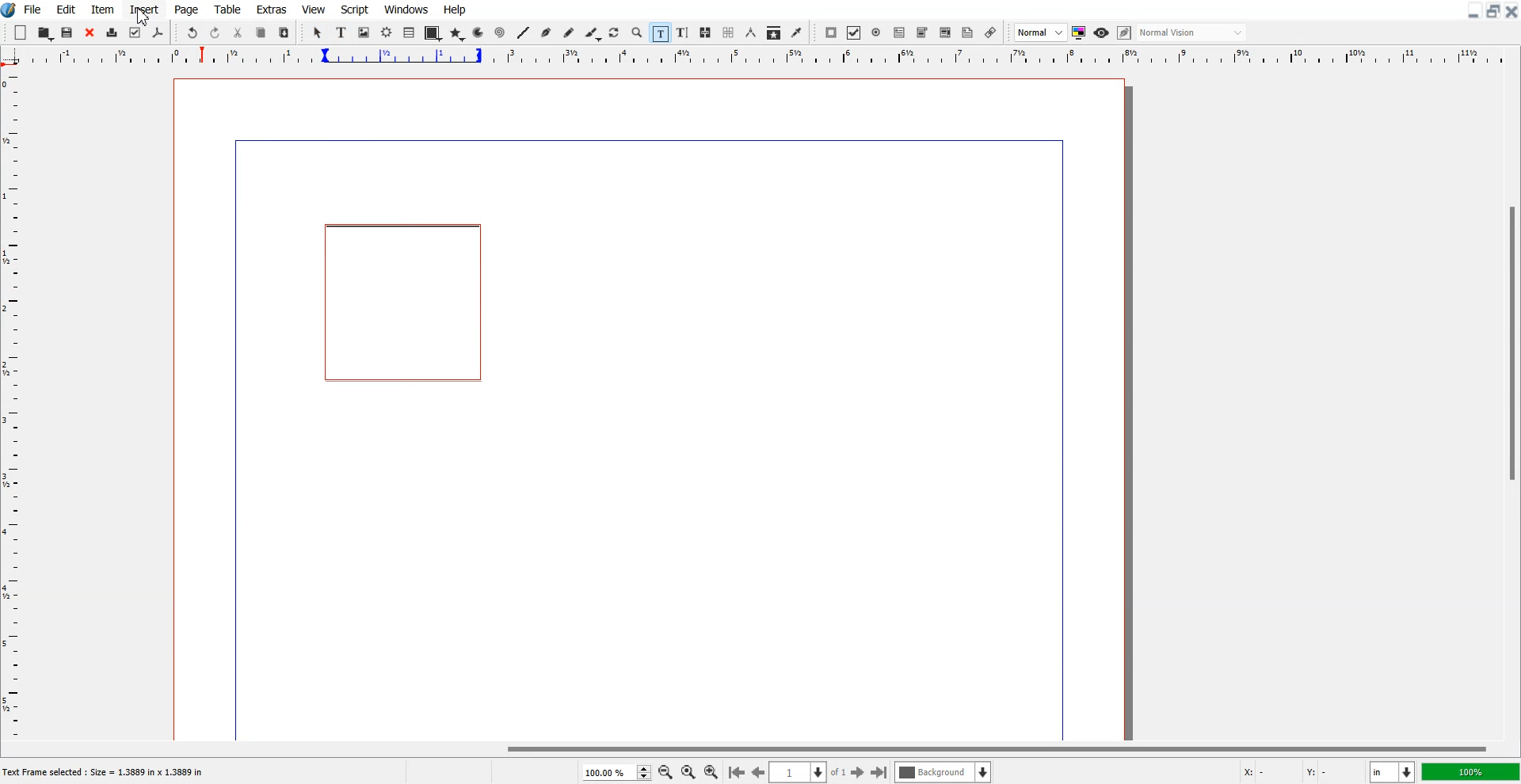 This screenshot has height=784, width=1521. What do you see at coordinates (46, 33) in the screenshot?
I see `Open` at bounding box center [46, 33].